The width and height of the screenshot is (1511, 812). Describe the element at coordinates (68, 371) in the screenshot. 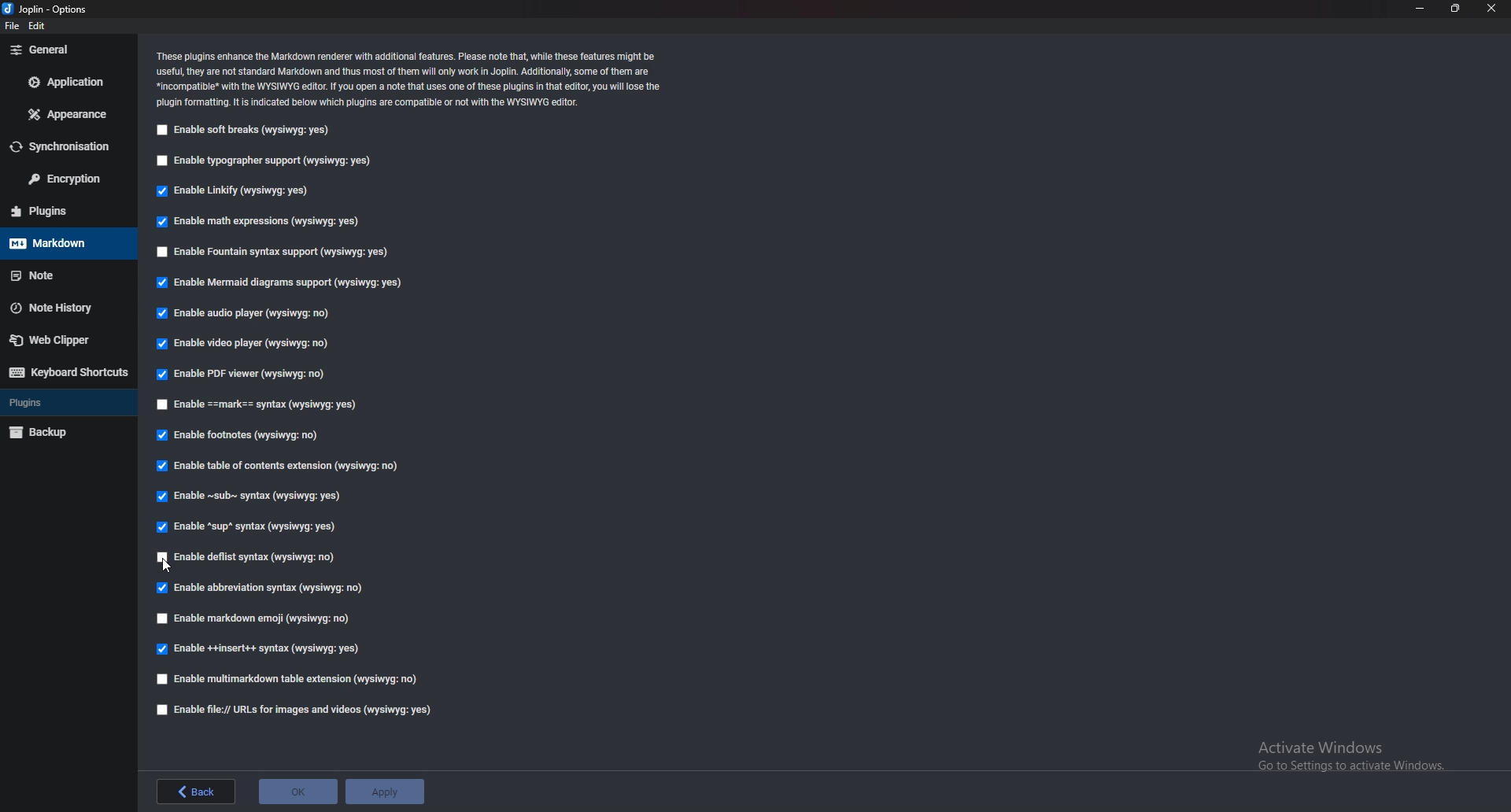

I see `keyboard shortcuts` at that location.